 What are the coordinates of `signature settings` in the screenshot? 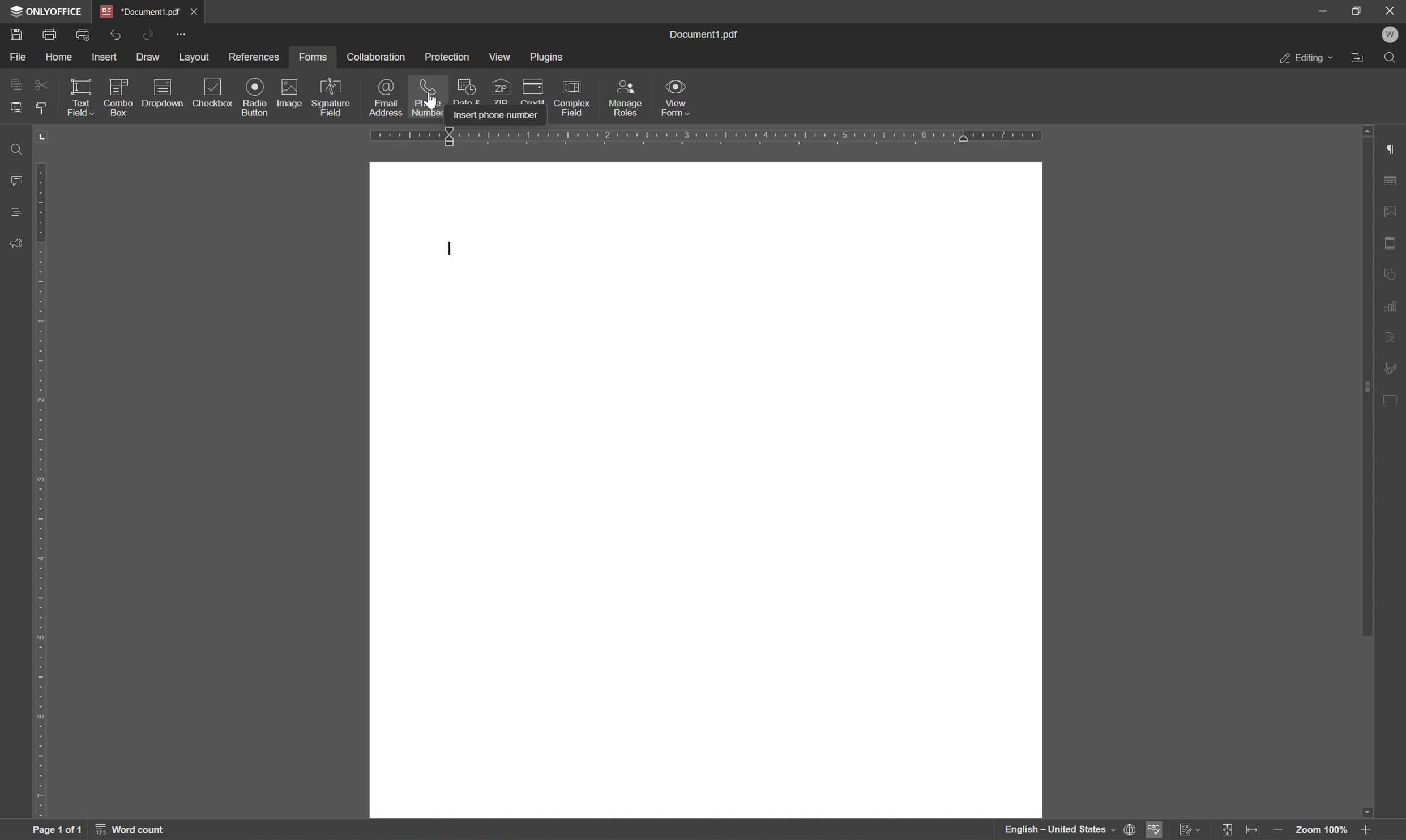 It's located at (1392, 370).